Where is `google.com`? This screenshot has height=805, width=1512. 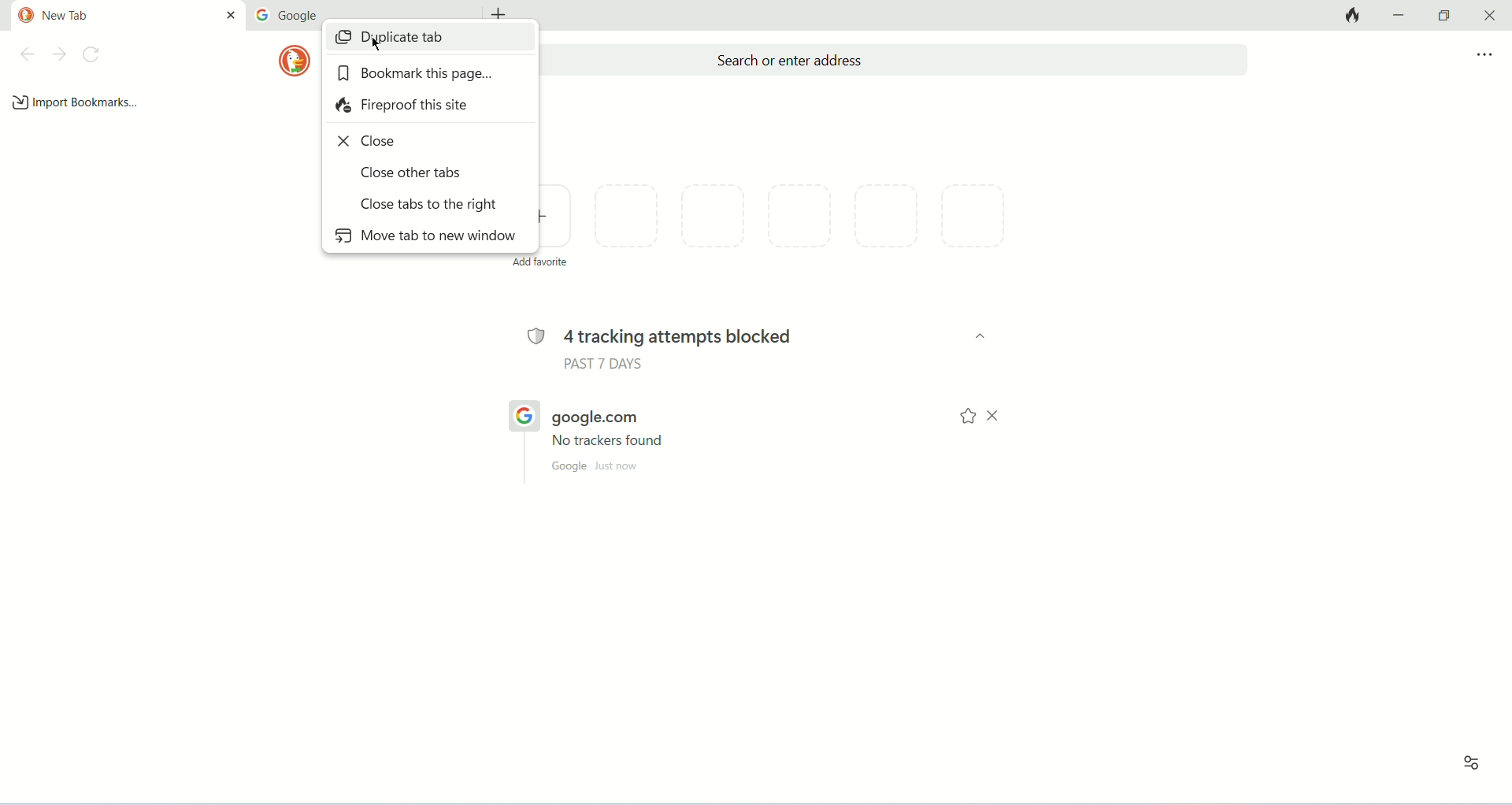 google.com is located at coordinates (593, 421).